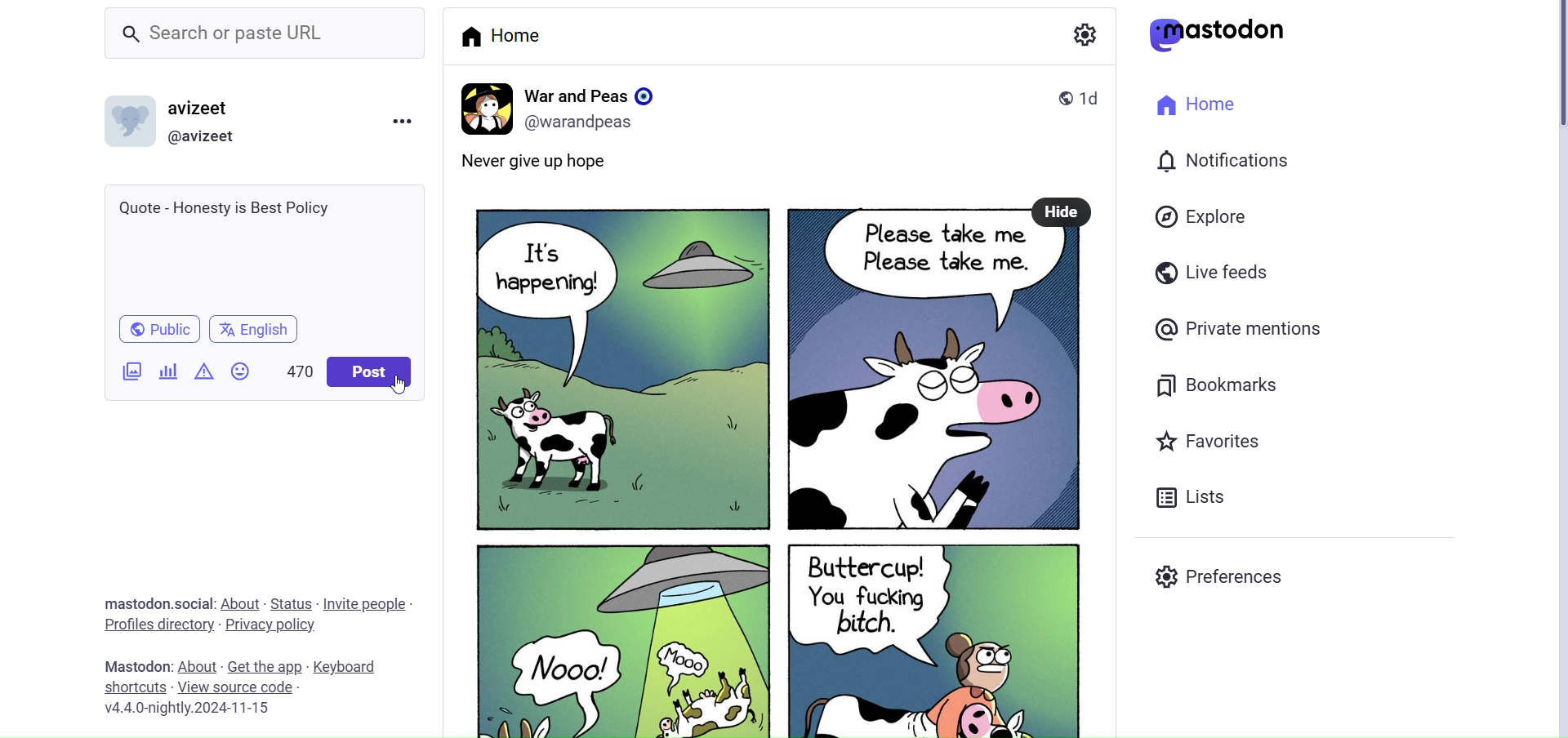 Image resolution: width=1568 pixels, height=738 pixels. Describe the element at coordinates (1190, 498) in the screenshot. I see `Lists` at that location.